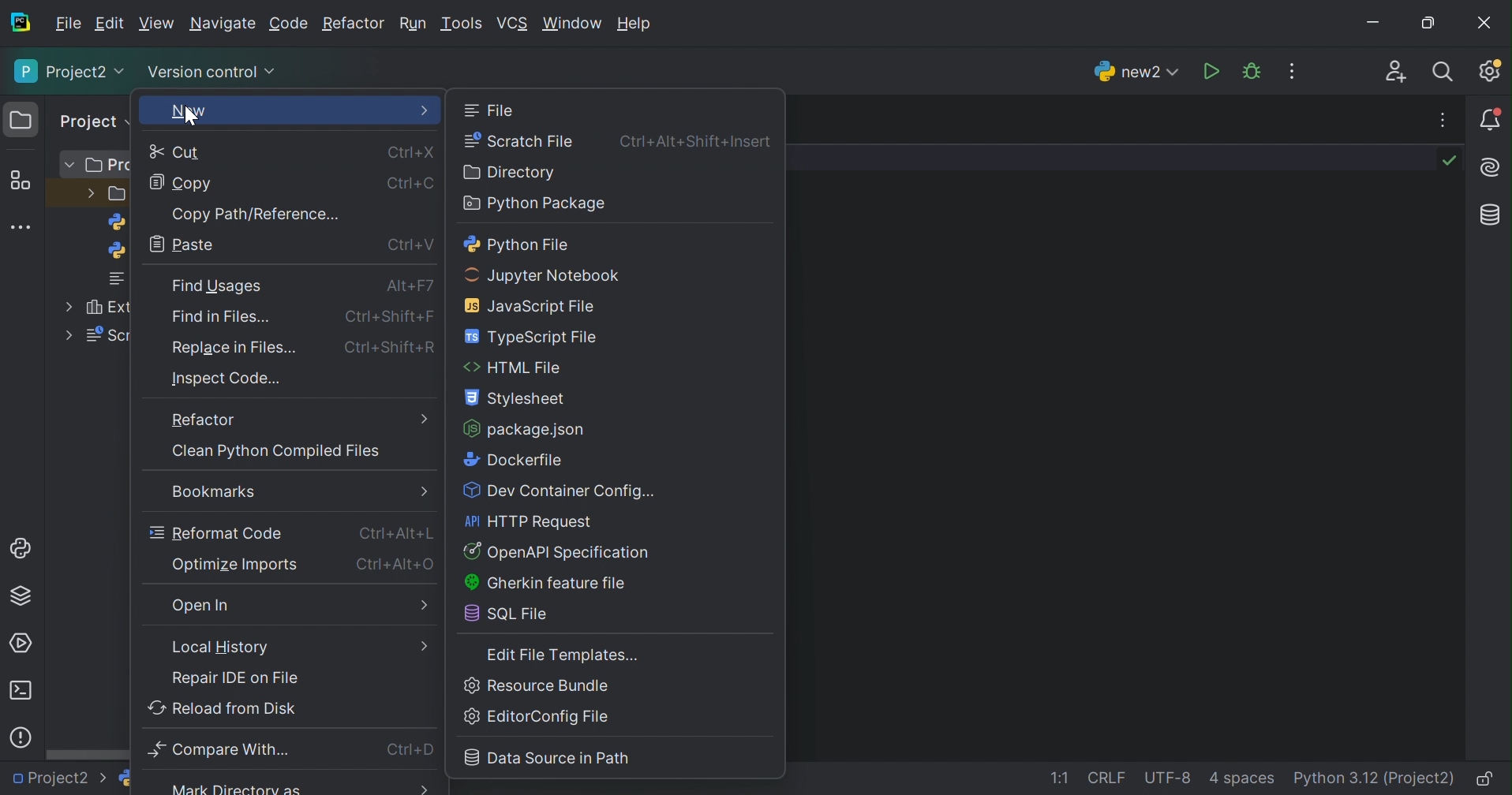 The image size is (1512, 795). What do you see at coordinates (527, 521) in the screenshot?
I see `HTTP request` at bounding box center [527, 521].